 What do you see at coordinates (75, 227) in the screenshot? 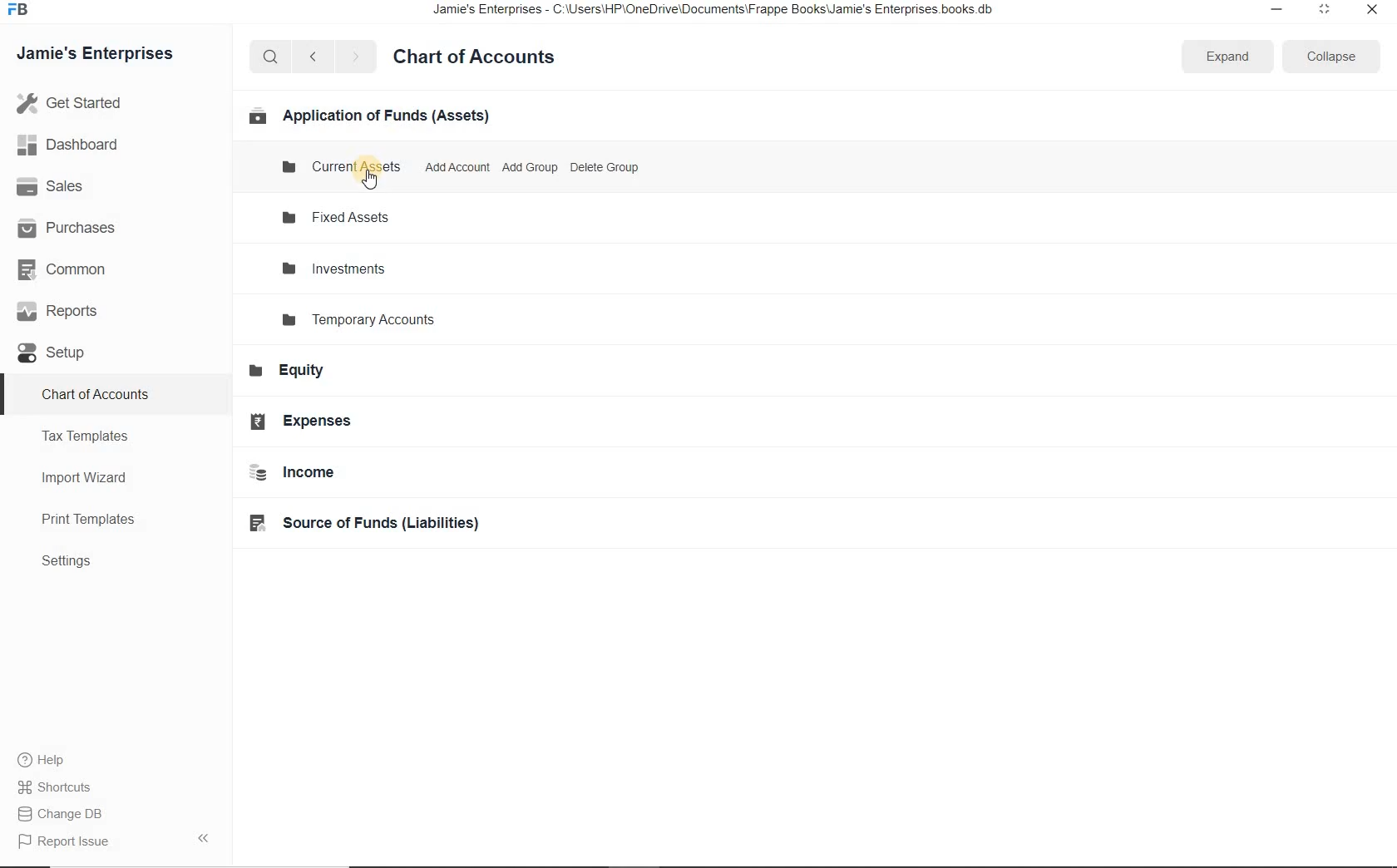
I see `Purchases` at bounding box center [75, 227].